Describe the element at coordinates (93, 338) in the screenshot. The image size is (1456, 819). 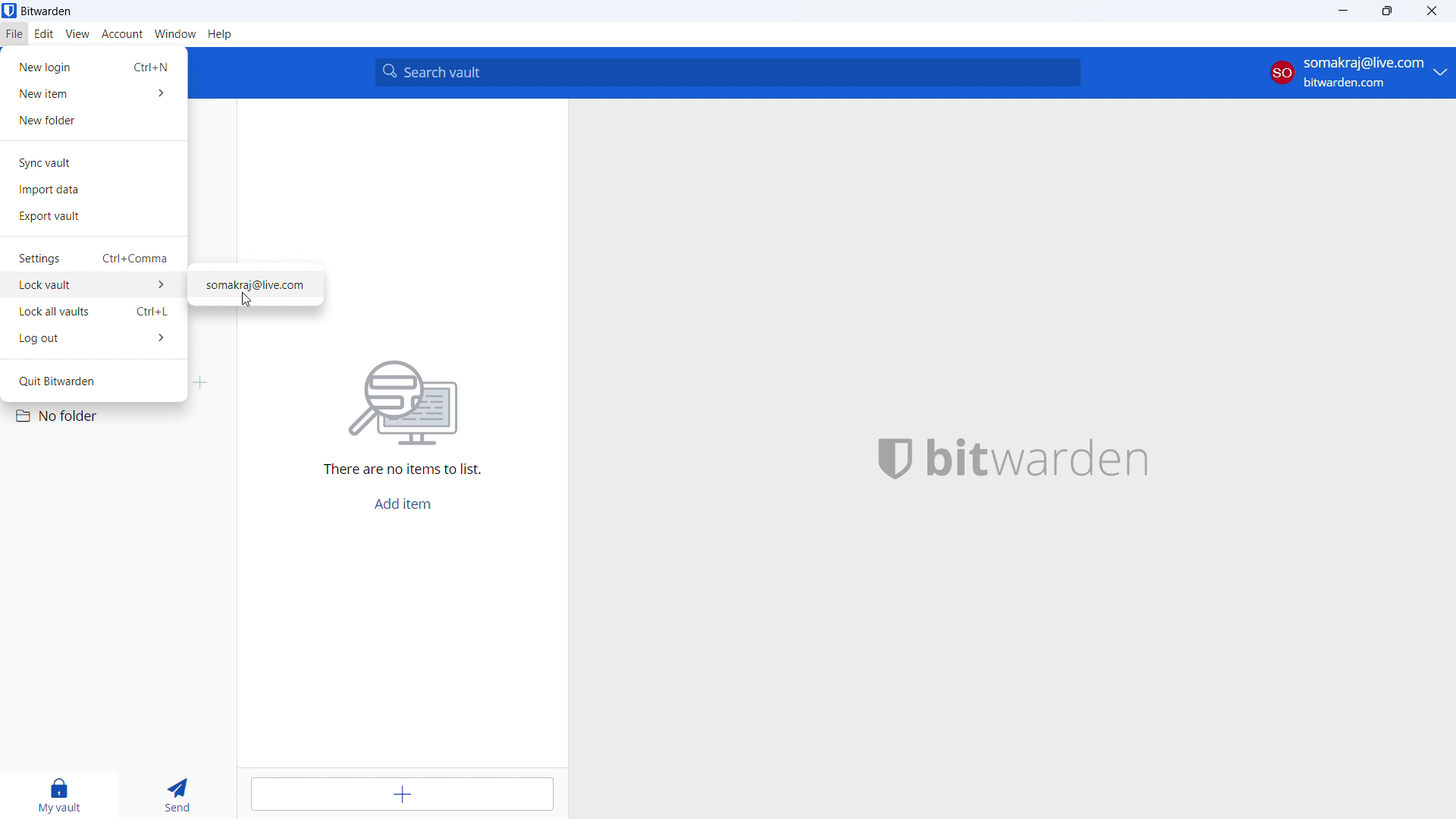
I see `log out` at that location.